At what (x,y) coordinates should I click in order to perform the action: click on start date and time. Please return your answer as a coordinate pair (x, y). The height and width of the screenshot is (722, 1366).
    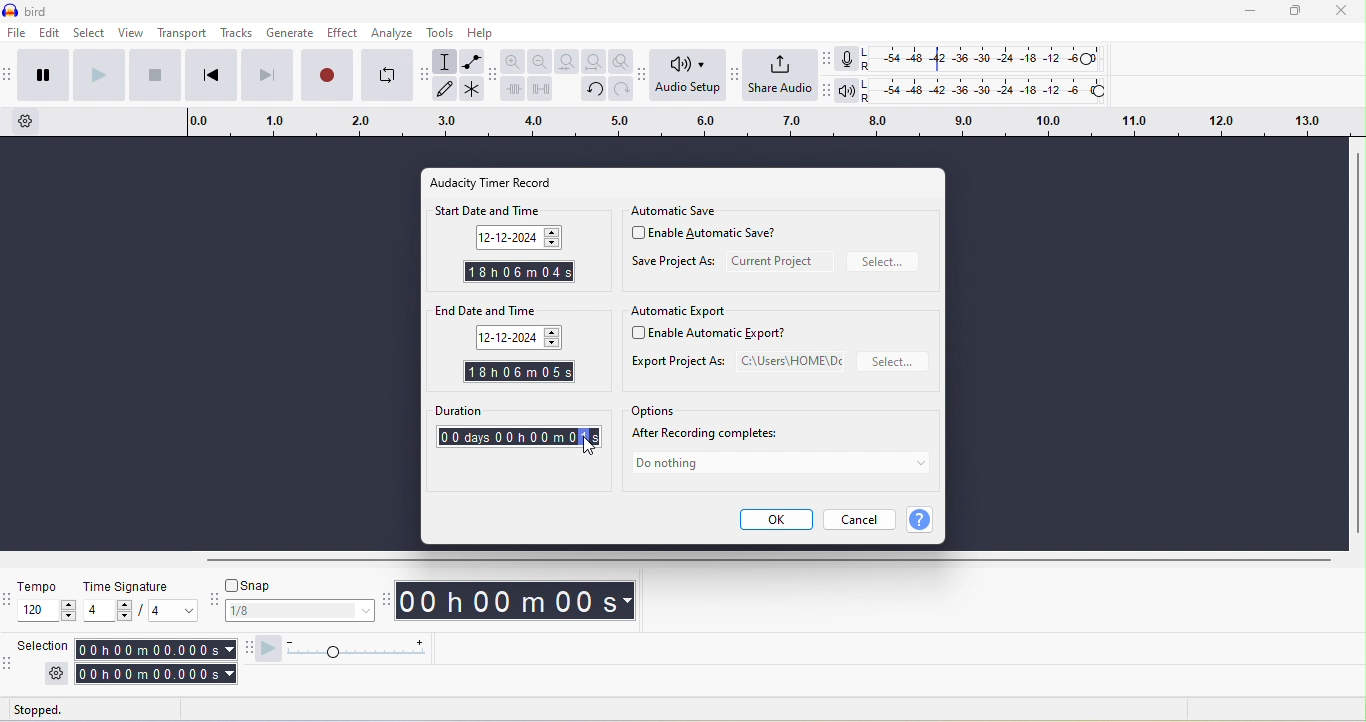
    Looking at the image, I should click on (514, 213).